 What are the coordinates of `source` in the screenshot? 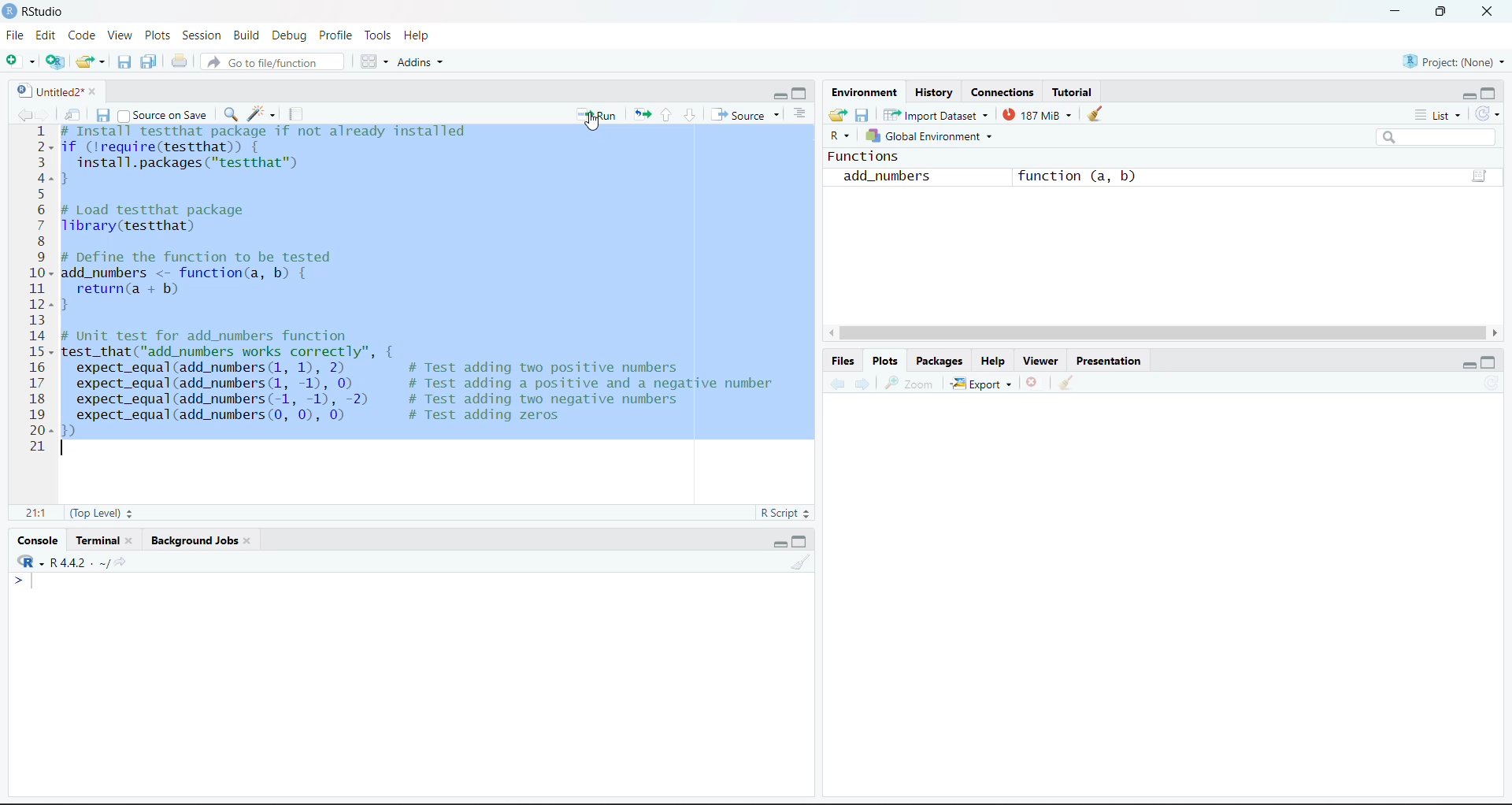 It's located at (738, 114).